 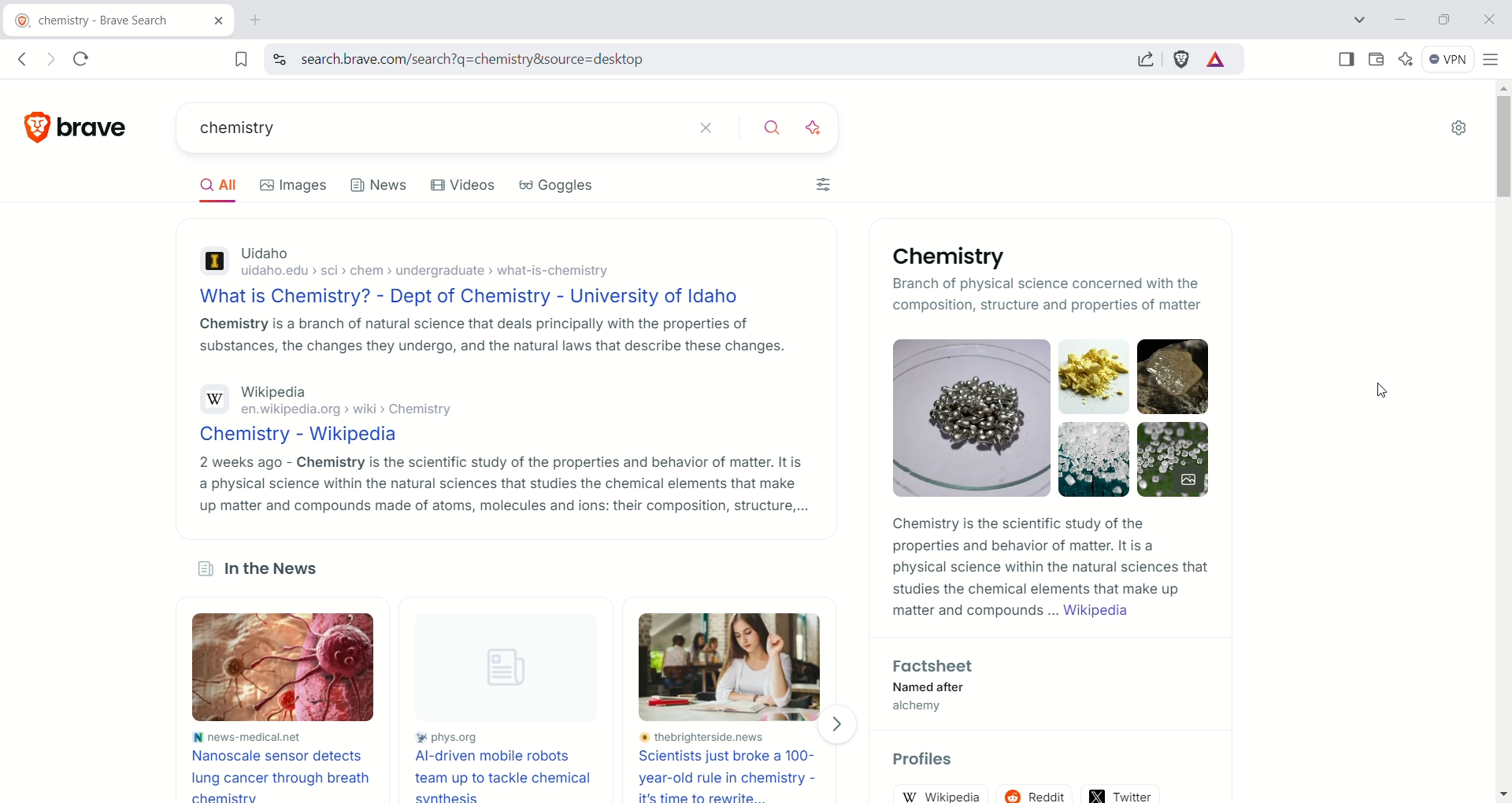 What do you see at coordinates (929, 689) in the screenshot?
I see `Factsheet— Named after- alchemy` at bounding box center [929, 689].